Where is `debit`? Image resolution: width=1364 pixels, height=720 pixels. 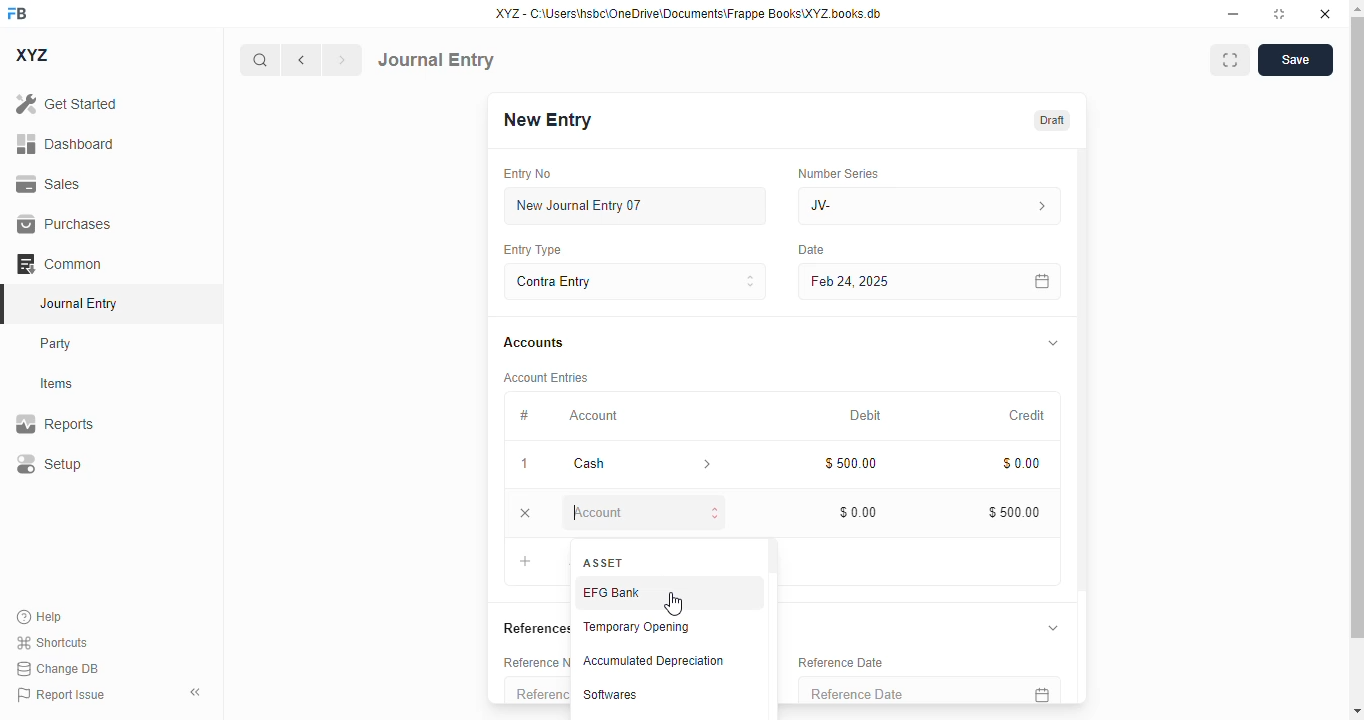
debit is located at coordinates (865, 415).